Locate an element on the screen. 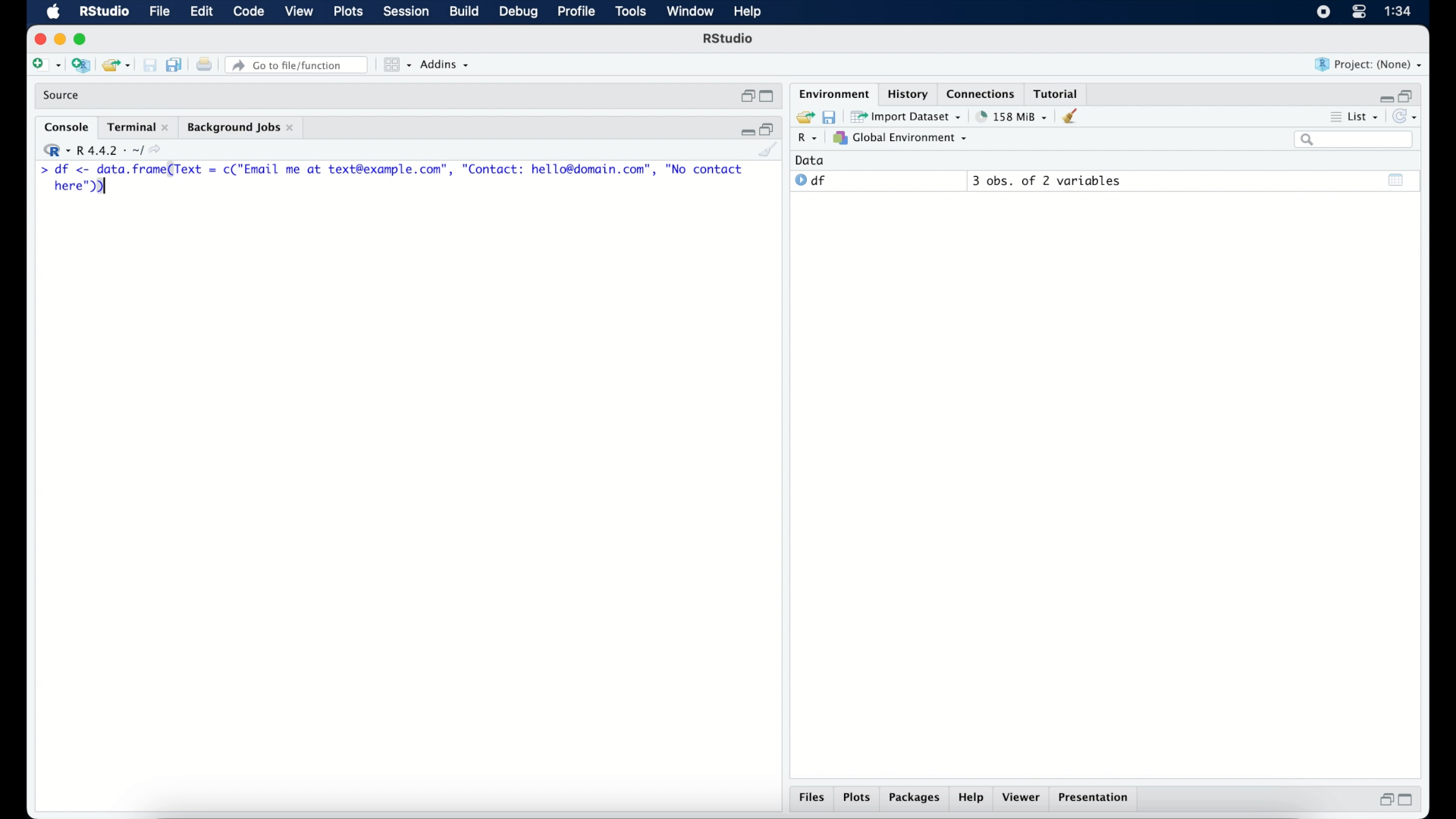 The height and width of the screenshot is (819, 1456). search bar is located at coordinates (1355, 140).